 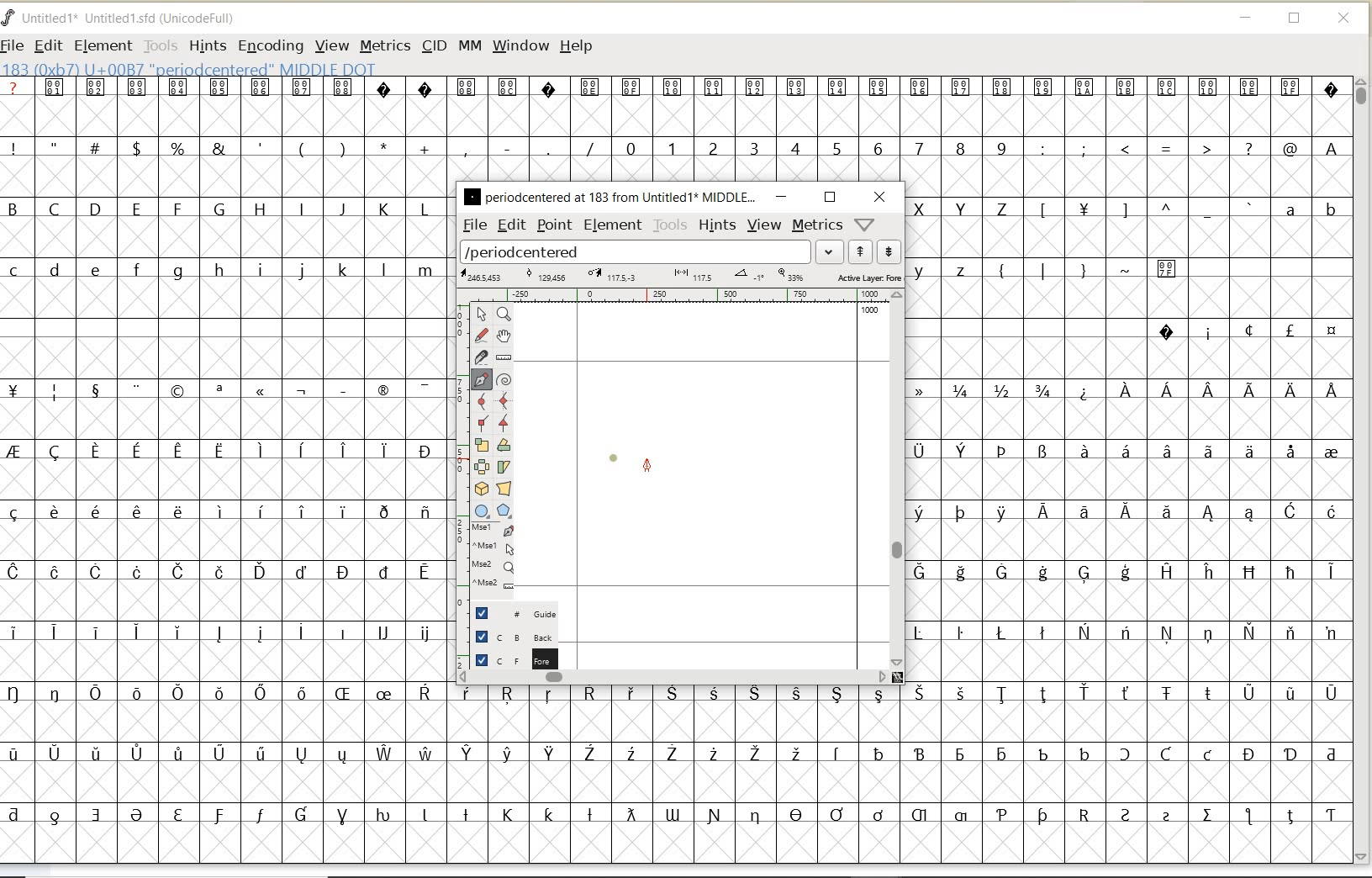 I want to click on rotate the selection in 3D and project back to plane, so click(x=481, y=488).